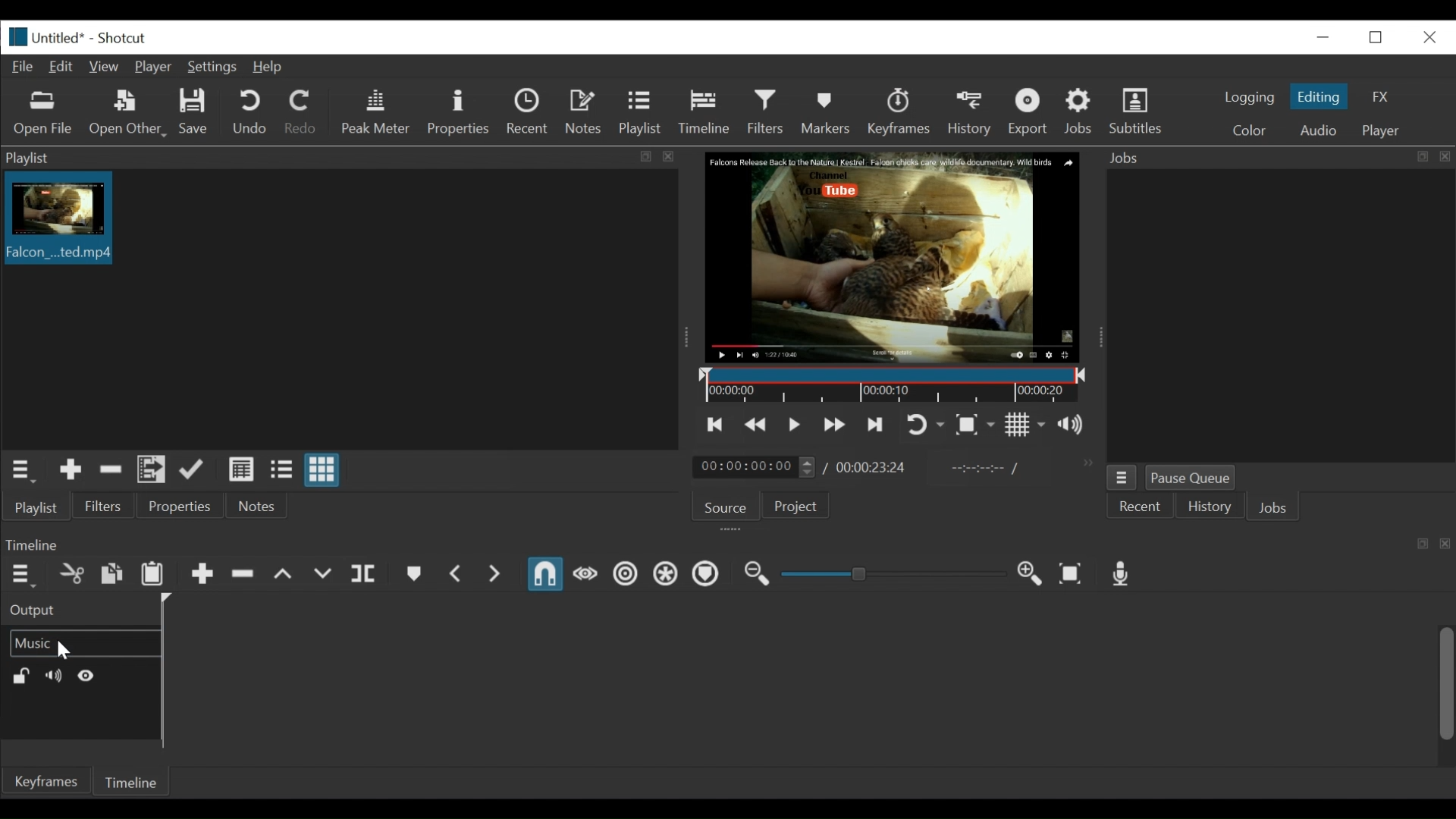 The width and height of the screenshot is (1456, 819). Describe the element at coordinates (22, 67) in the screenshot. I see `File` at that location.